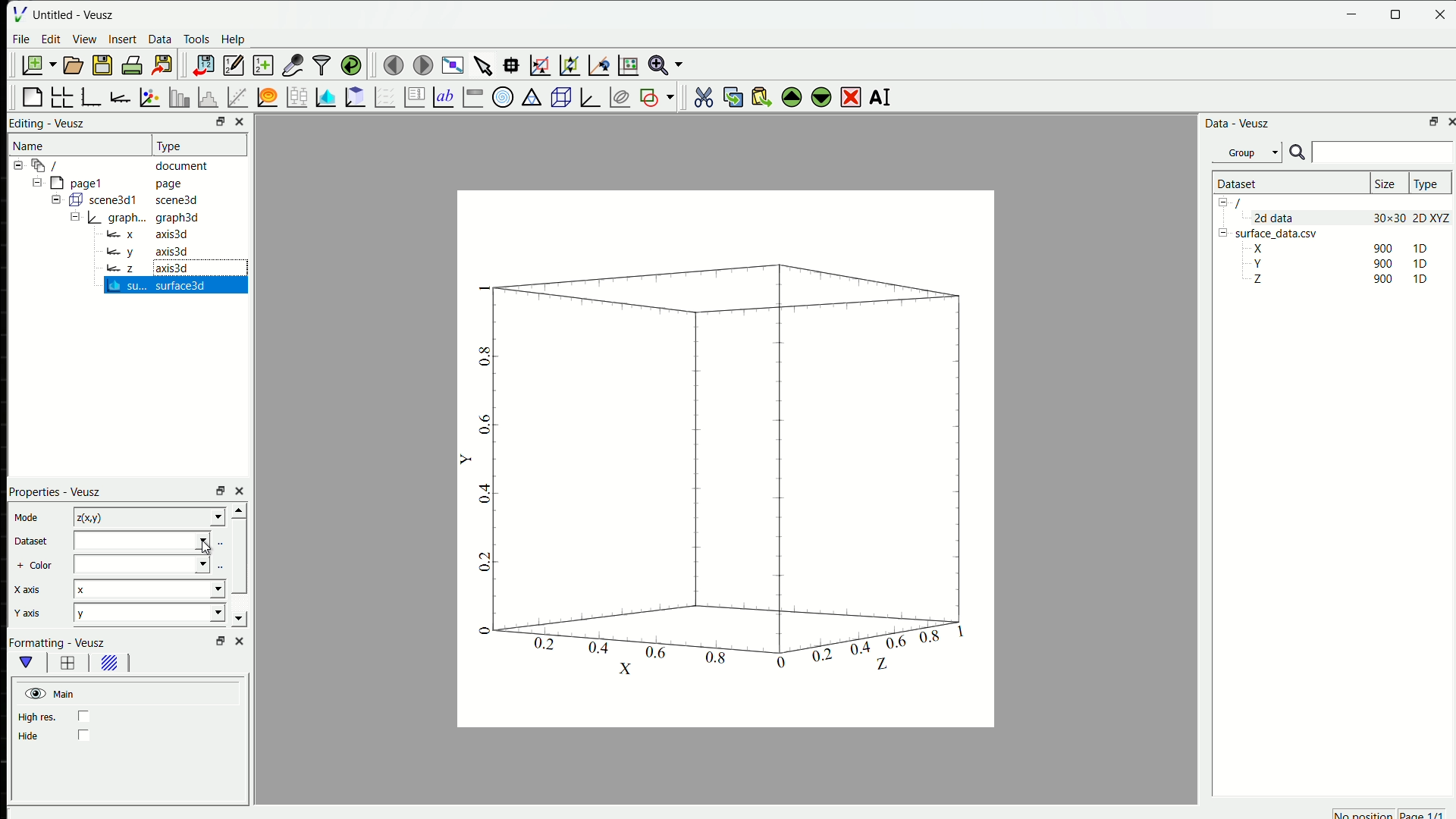  What do you see at coordinates (27, 589) in the screenshot?
I see `X axis` at bounding box center [27, 589].